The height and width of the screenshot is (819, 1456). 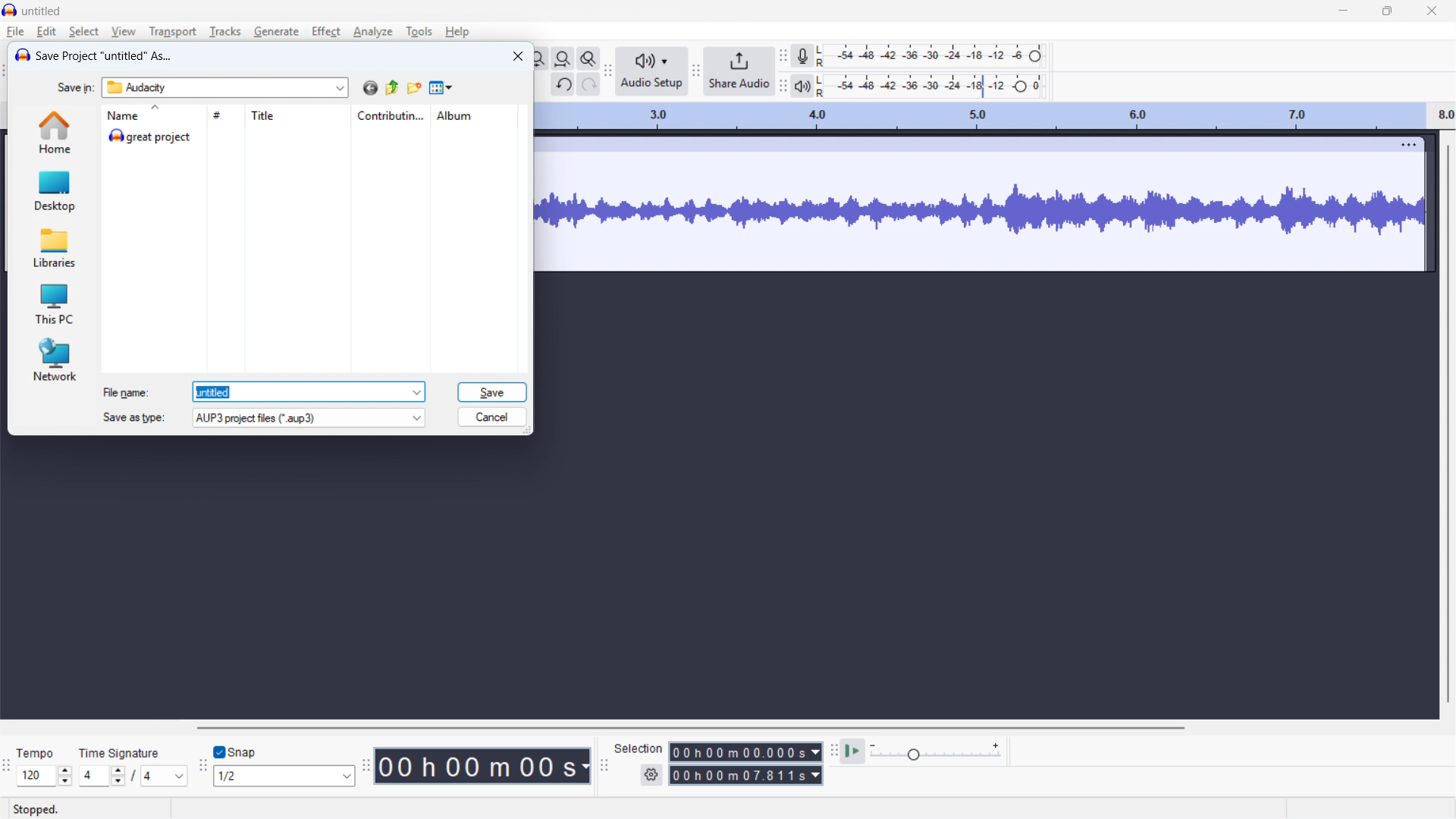 I want to click on great project file, so click(x=312, y=136).